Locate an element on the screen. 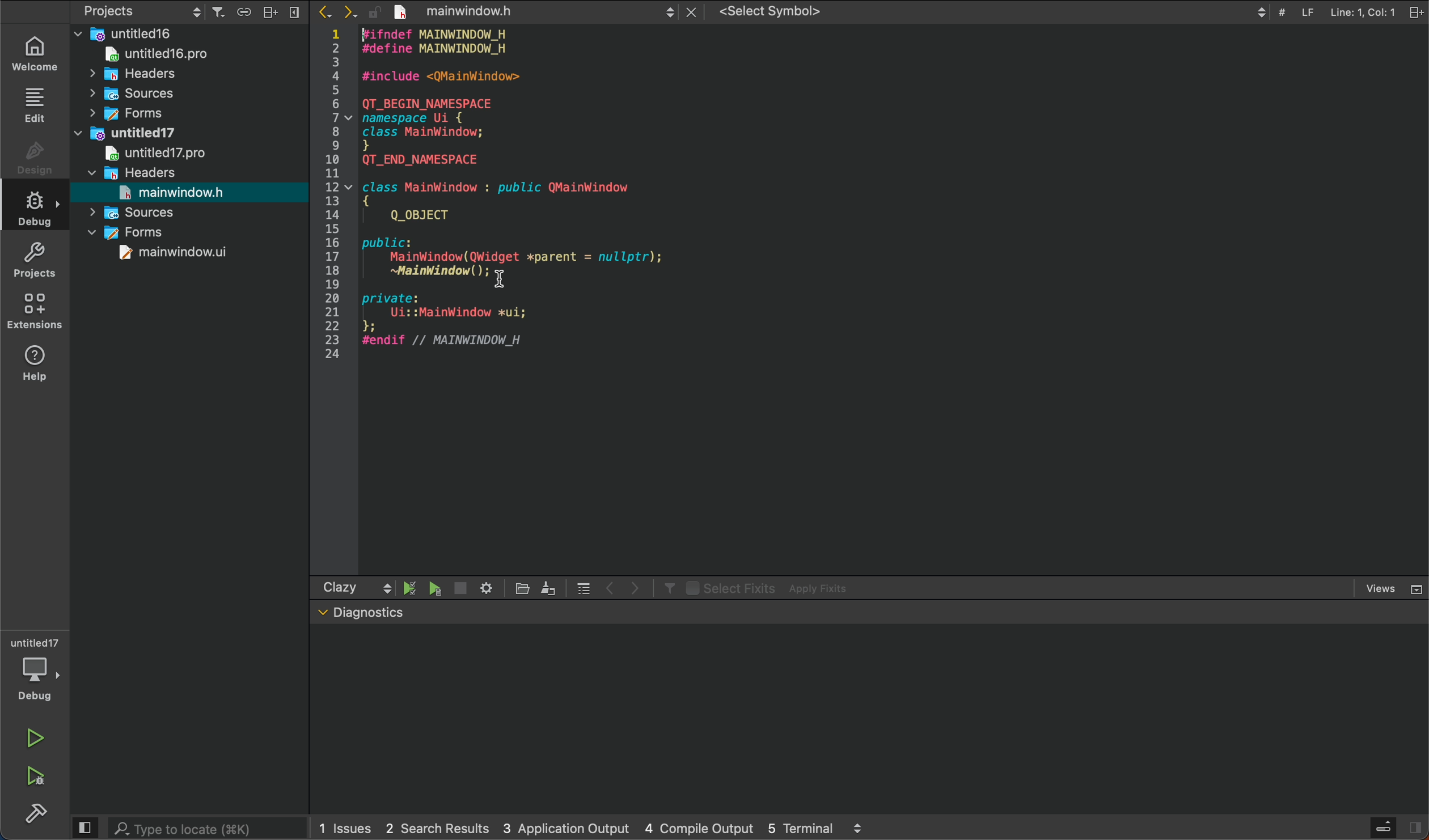 This screenshot has width=1429, height=840. Next is located at coordinates (351, 13).